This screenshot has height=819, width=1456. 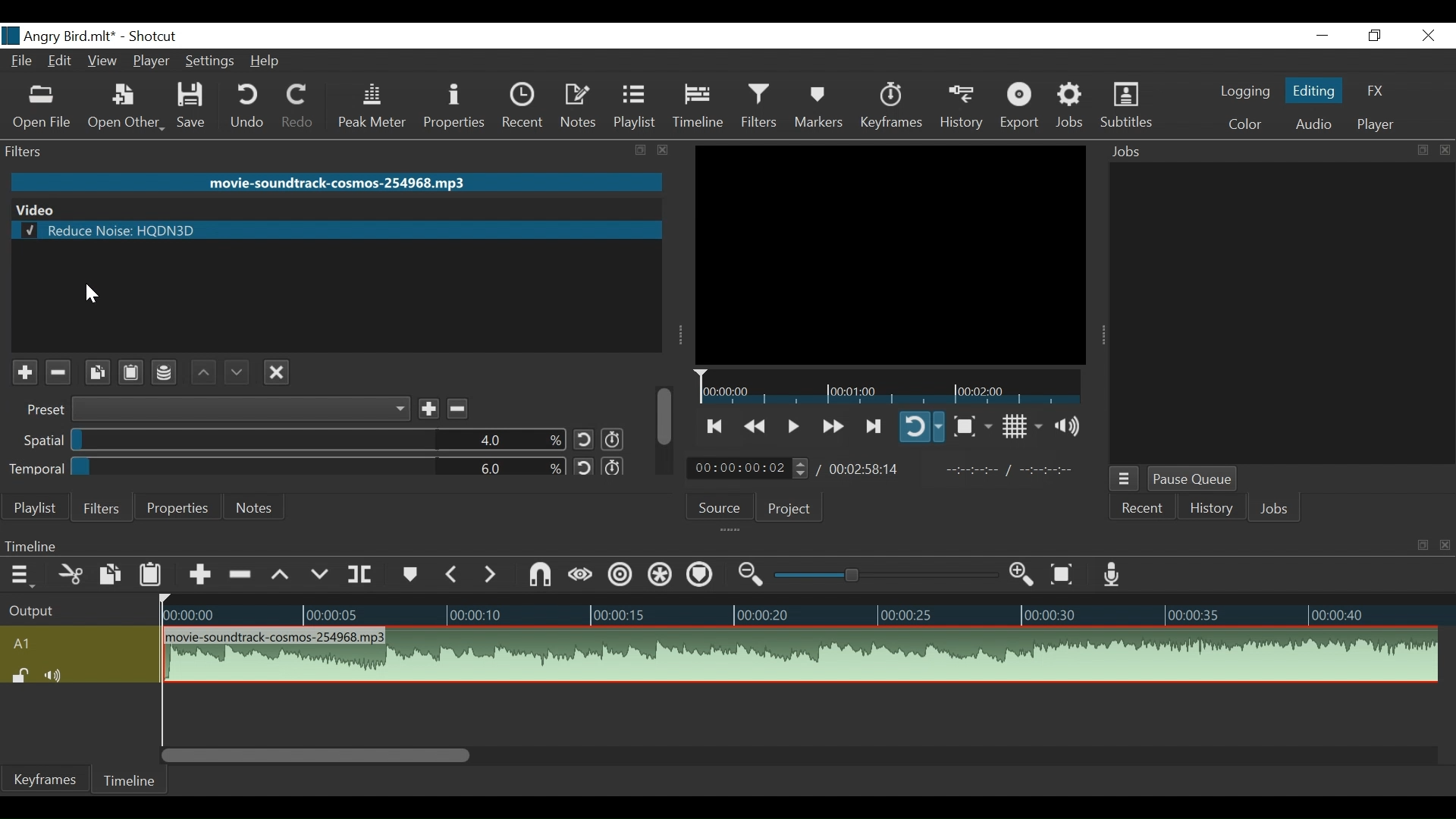 What do you see at coordinates (453, 573) in the screenshot?
I see `Previous marker` at bounding box center [453, 573].